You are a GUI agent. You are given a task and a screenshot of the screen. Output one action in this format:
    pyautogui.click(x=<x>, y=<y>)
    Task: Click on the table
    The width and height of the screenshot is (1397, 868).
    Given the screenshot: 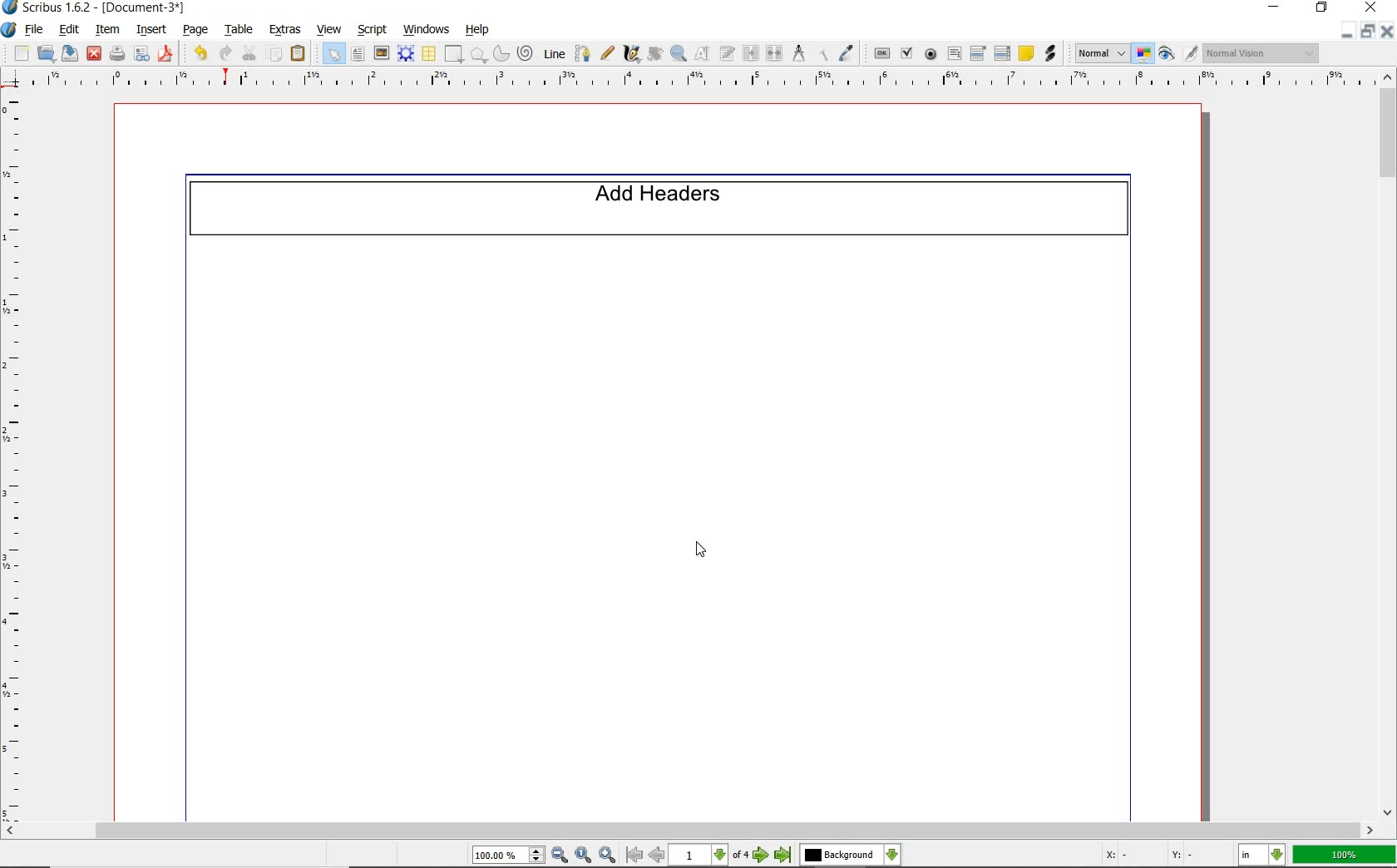 What is the action you would take?
    pyautogui.click(x=239, y=29)
    